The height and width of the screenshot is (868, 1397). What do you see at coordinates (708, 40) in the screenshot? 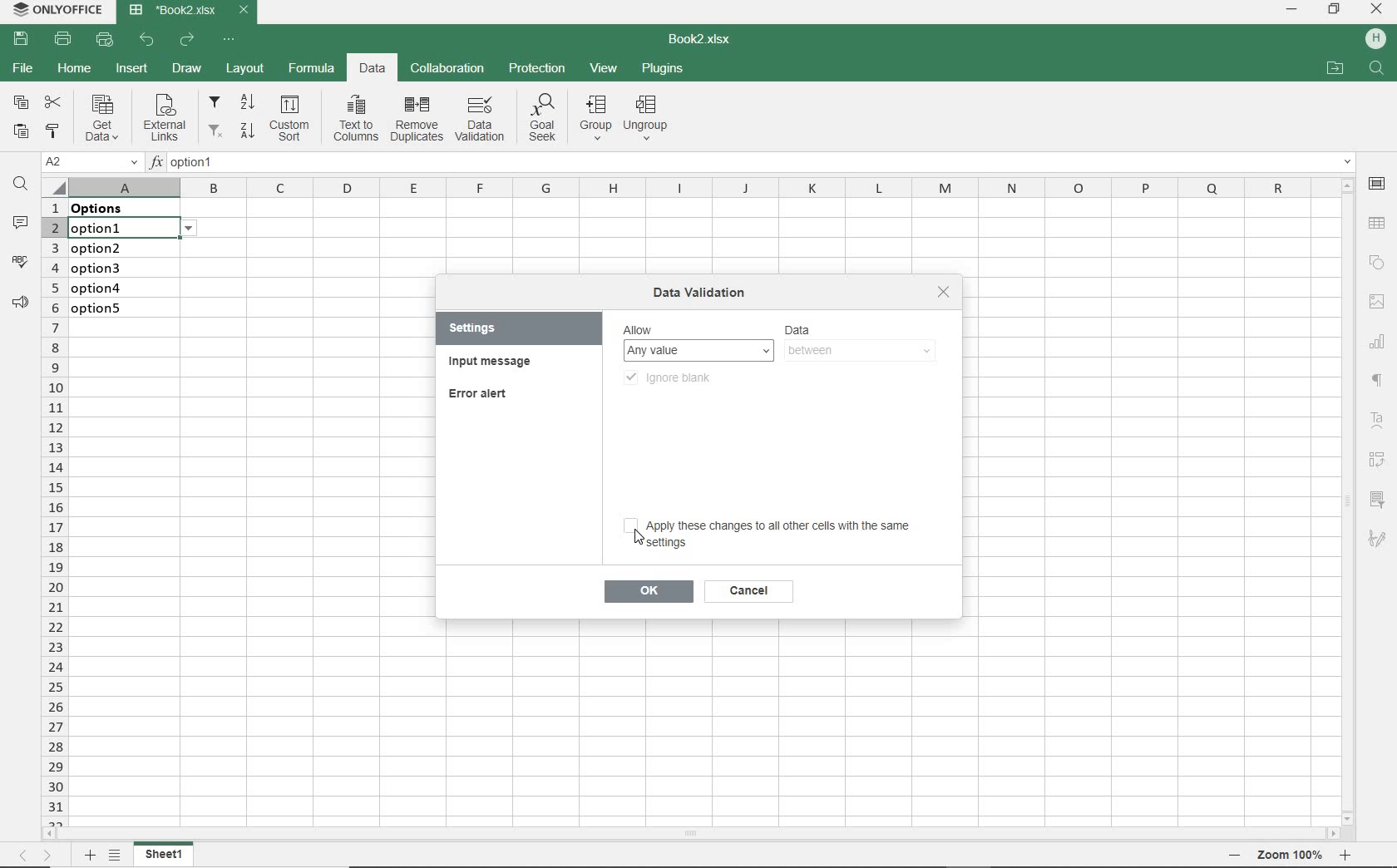
I see `DOCUMENT NAME` at bounding box center [708, 40].